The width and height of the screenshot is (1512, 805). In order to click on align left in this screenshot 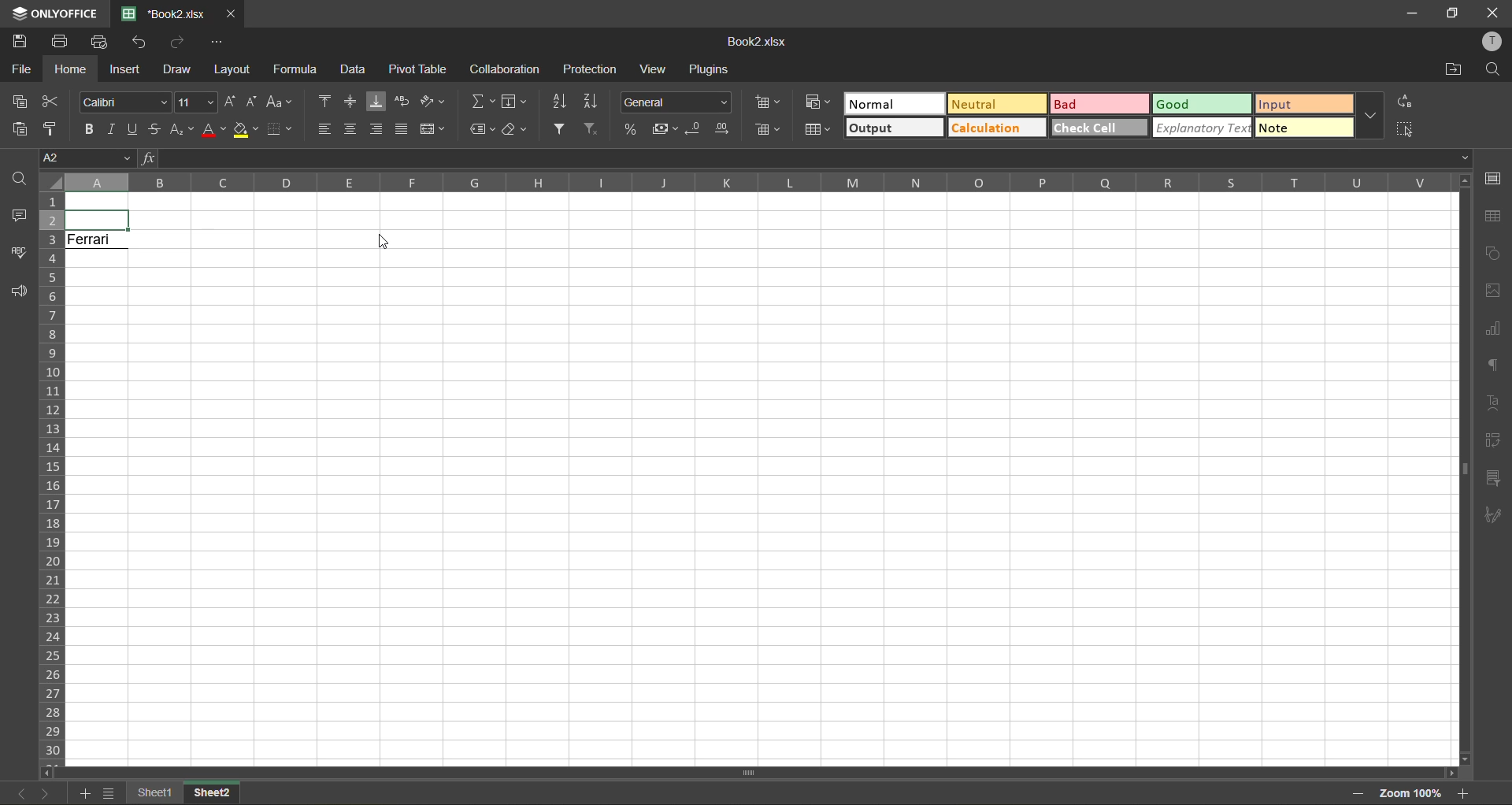, I will do `click(324, 132)`.